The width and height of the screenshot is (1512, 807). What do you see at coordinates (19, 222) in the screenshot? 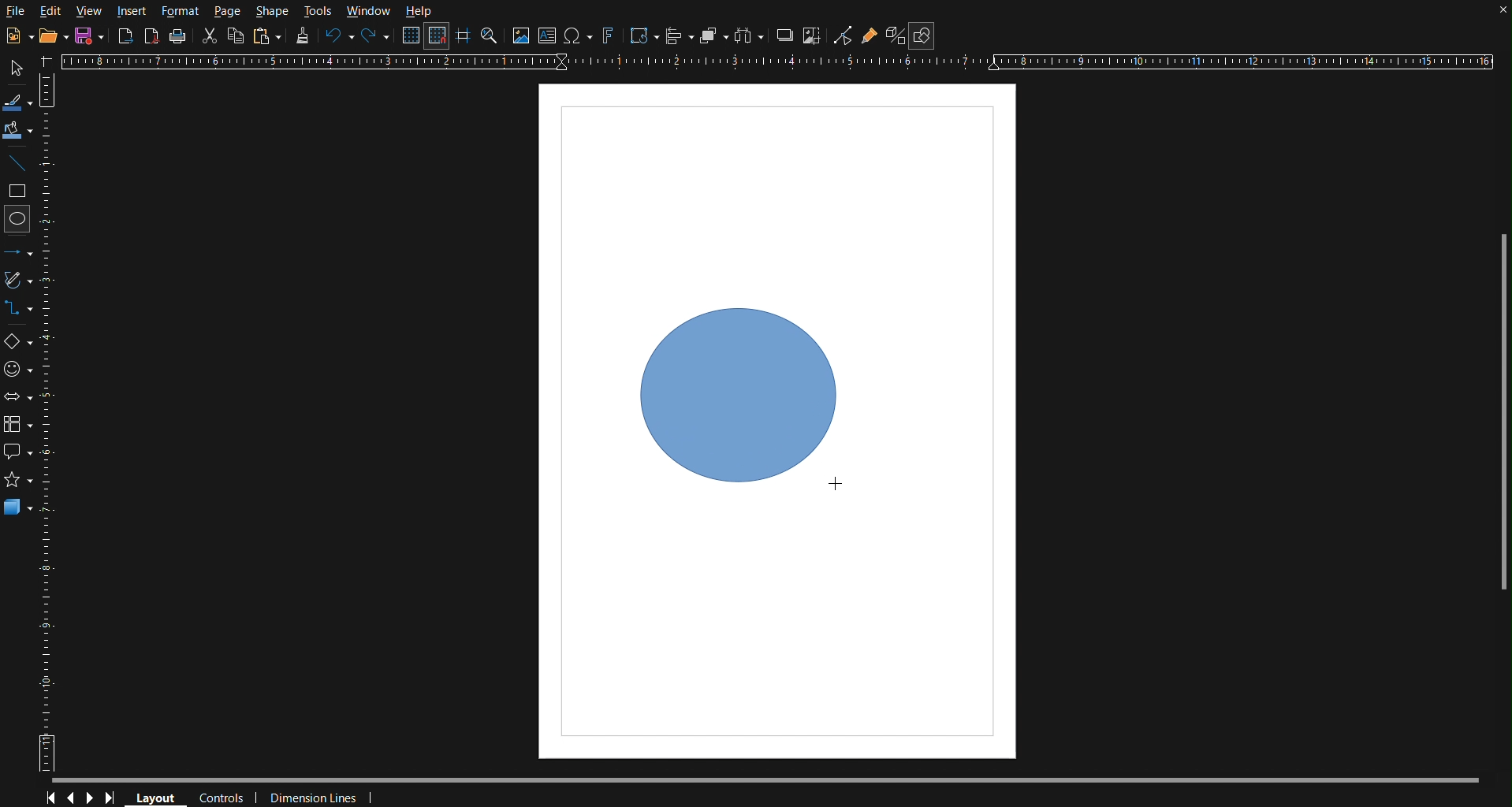
I see `Circle` at bounding box center [19, 222].